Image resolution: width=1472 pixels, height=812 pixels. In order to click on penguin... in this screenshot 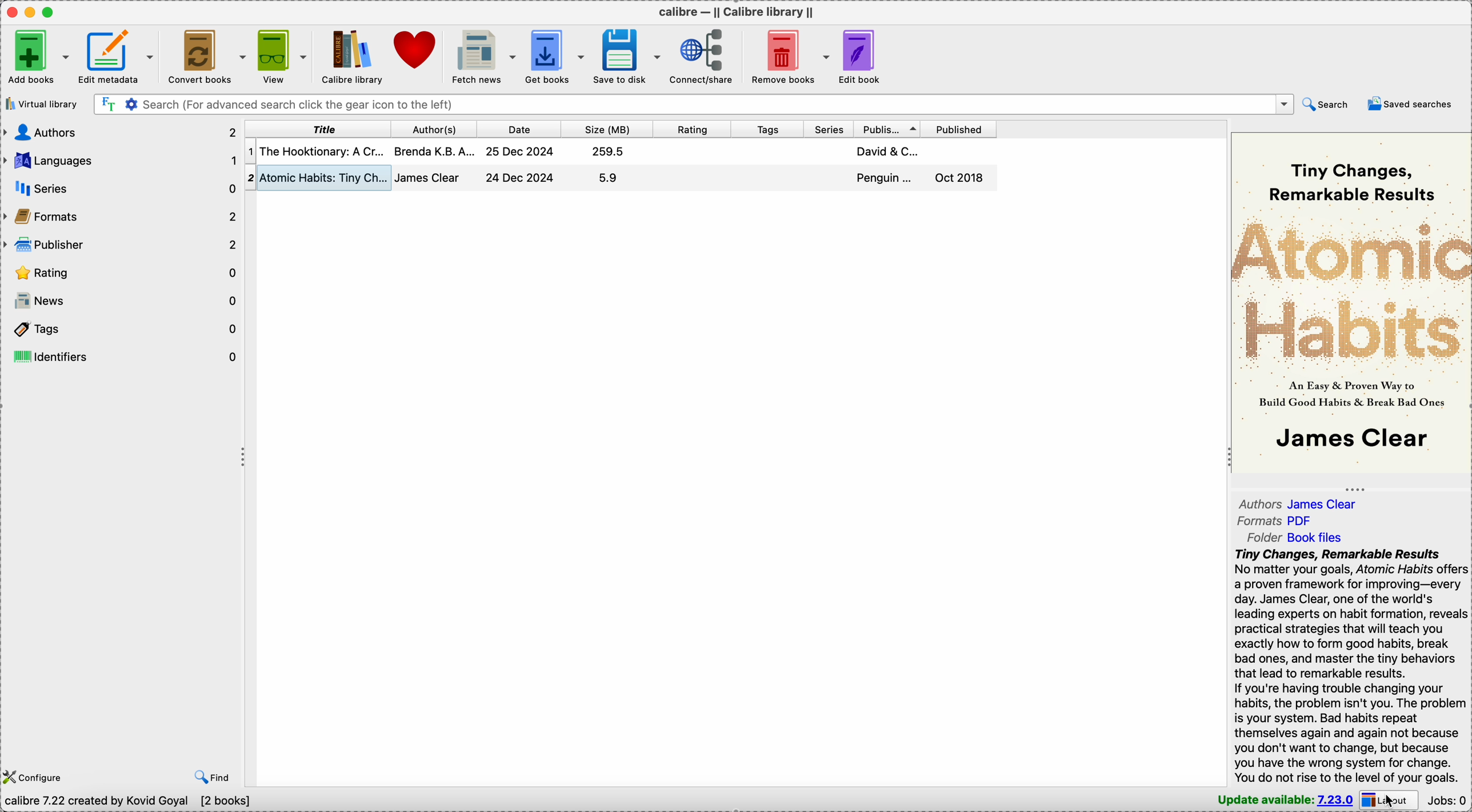, I will do `click(885, 178)`.